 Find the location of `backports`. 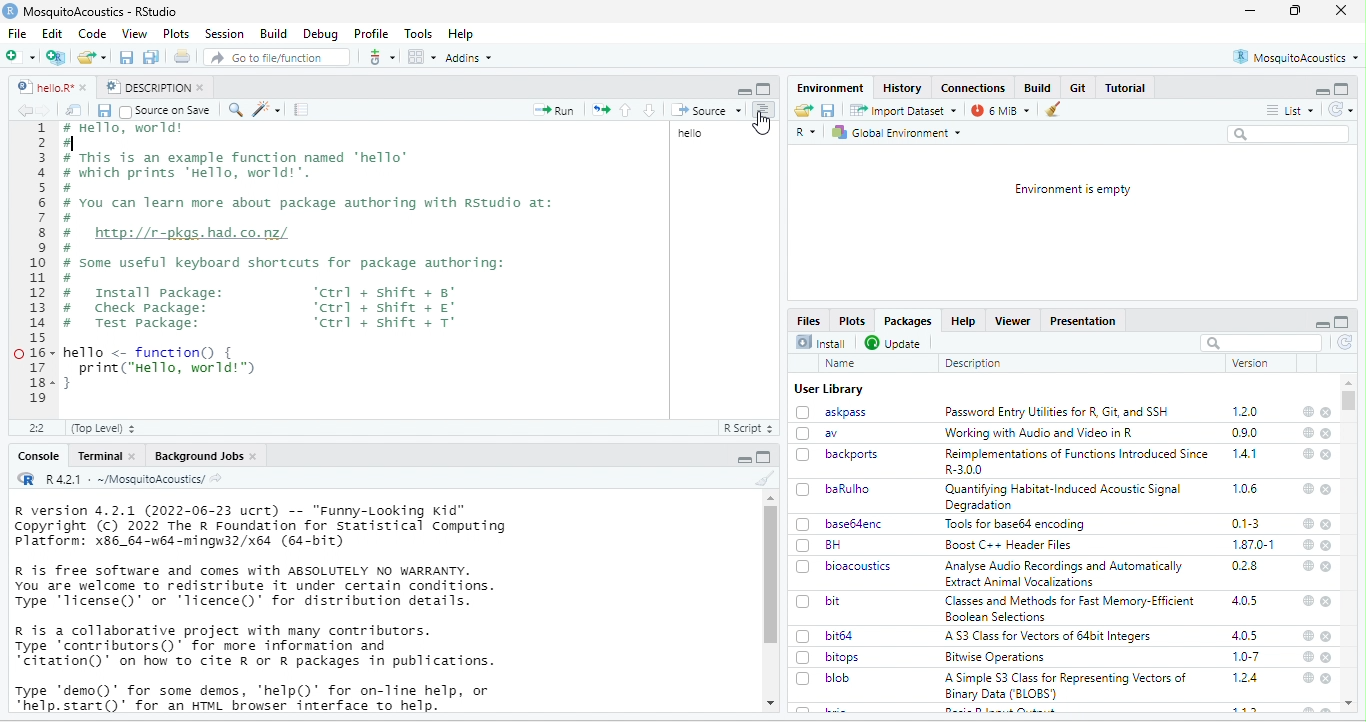

backports is located at coordinates (840, 454).